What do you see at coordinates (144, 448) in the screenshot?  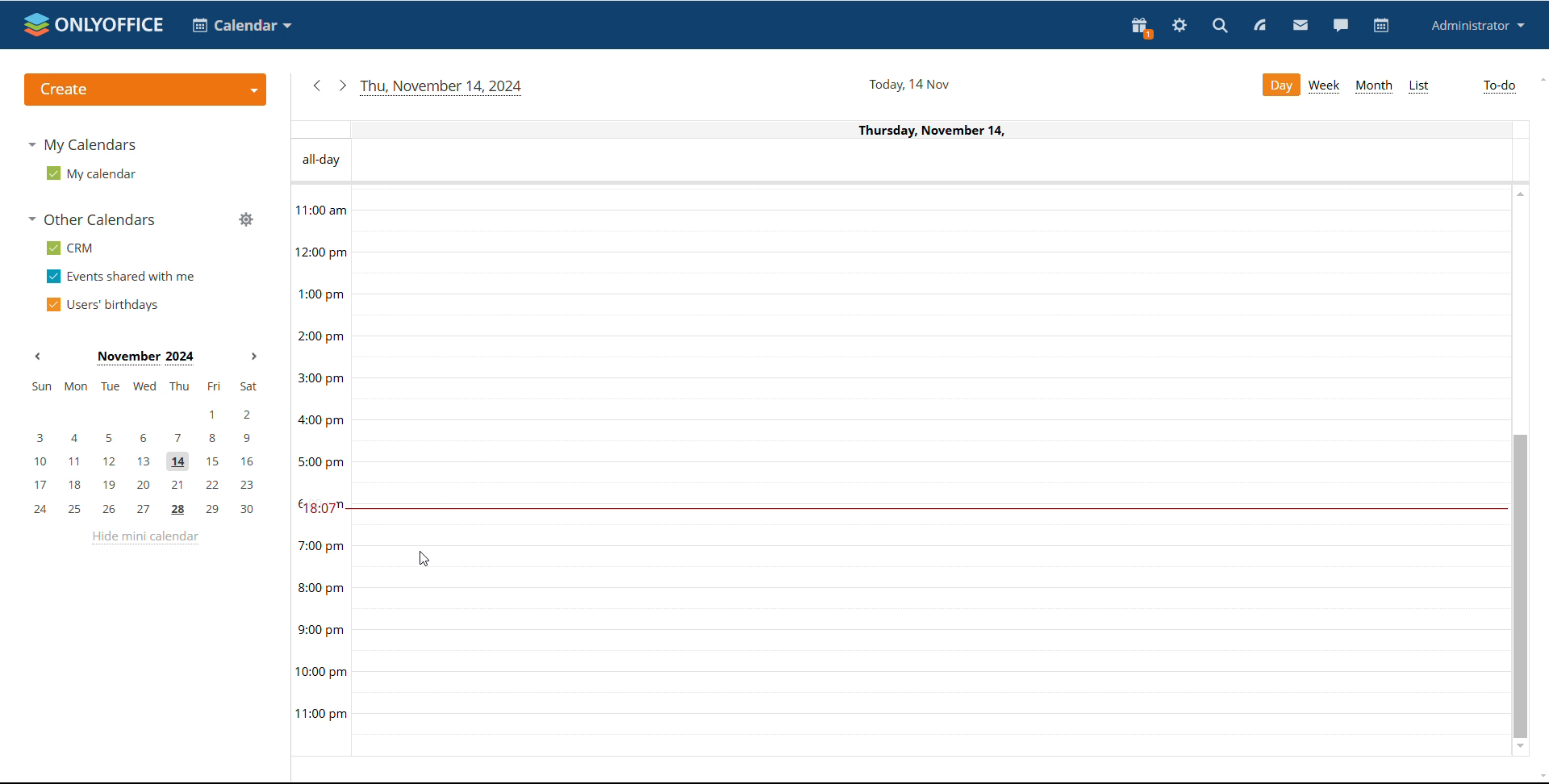 I see `mini calendar` at bounding box center [144, 448].